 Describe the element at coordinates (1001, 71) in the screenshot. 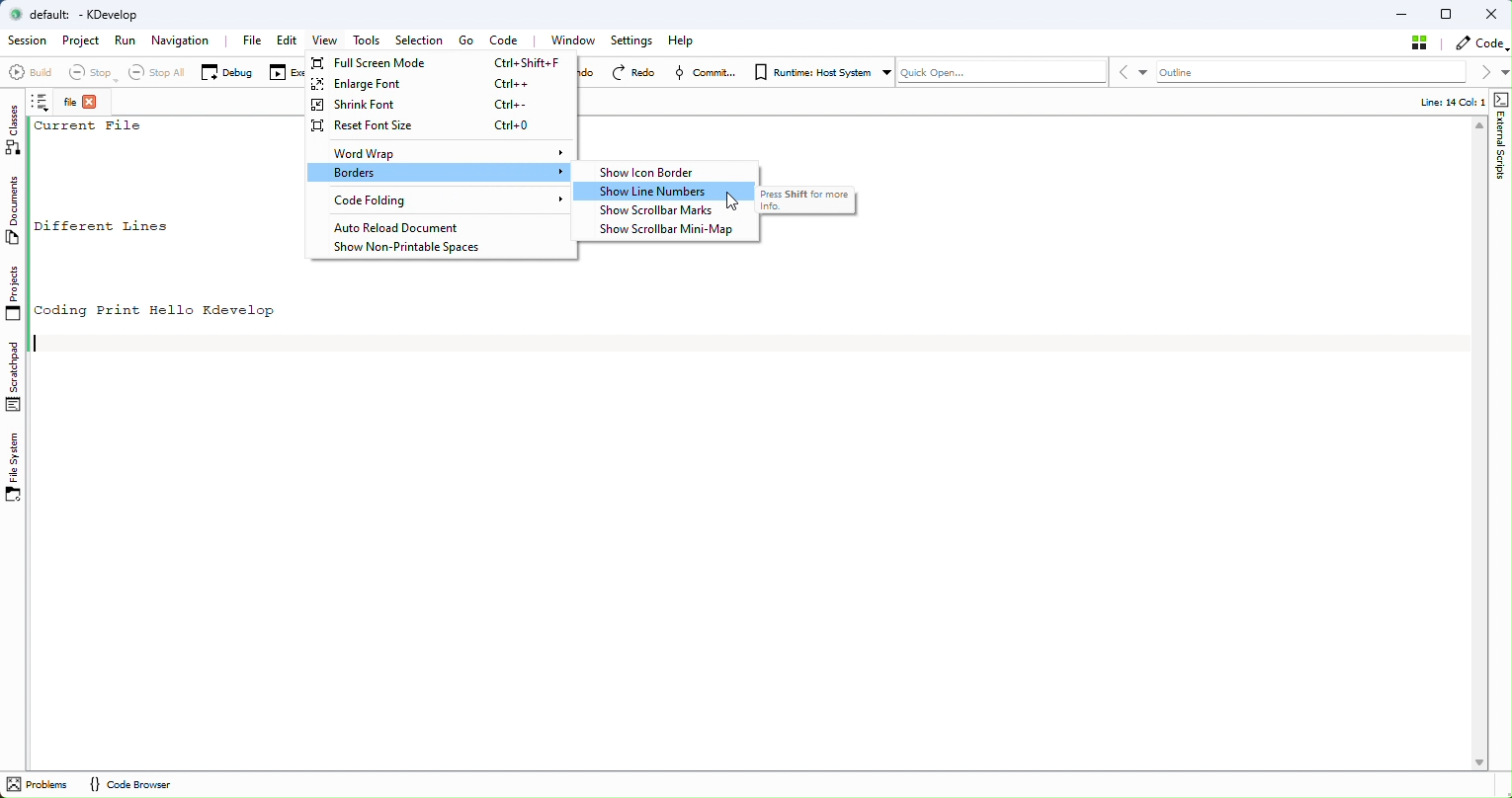

I see `Quick Open` at that location.